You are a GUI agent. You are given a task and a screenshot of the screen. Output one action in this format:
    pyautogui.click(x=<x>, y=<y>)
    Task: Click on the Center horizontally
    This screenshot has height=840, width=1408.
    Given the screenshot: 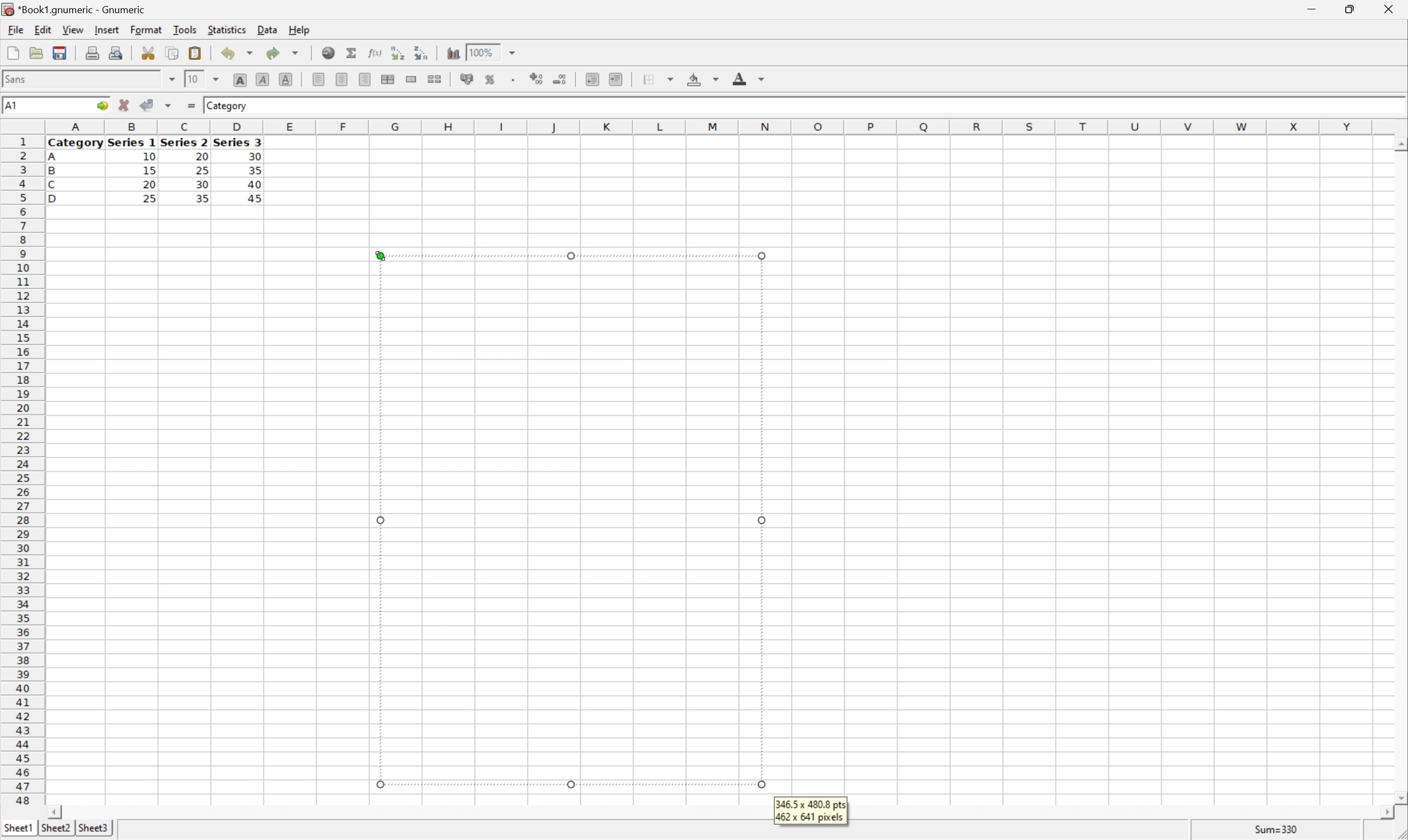 What is the action you would take?
    pyautogui.click(x=343, y=78)
    